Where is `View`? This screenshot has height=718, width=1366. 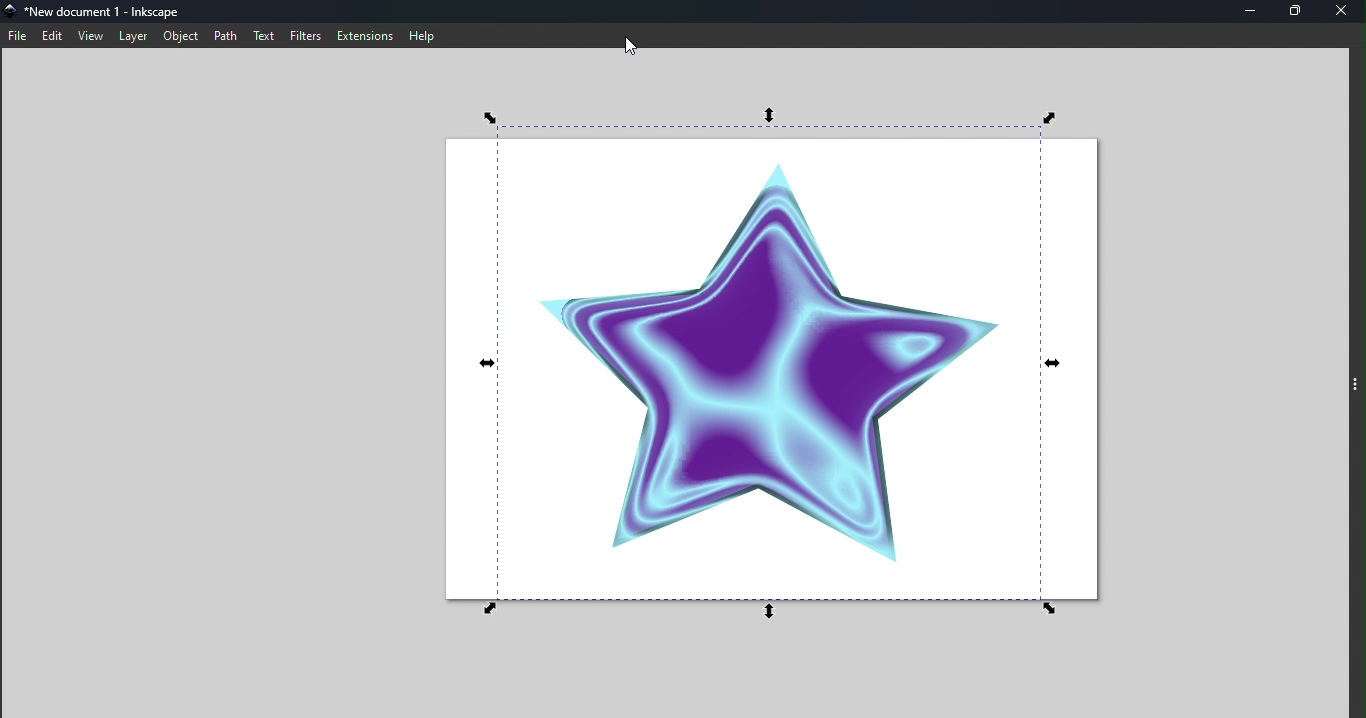 View is located at coordinates (89, 35).